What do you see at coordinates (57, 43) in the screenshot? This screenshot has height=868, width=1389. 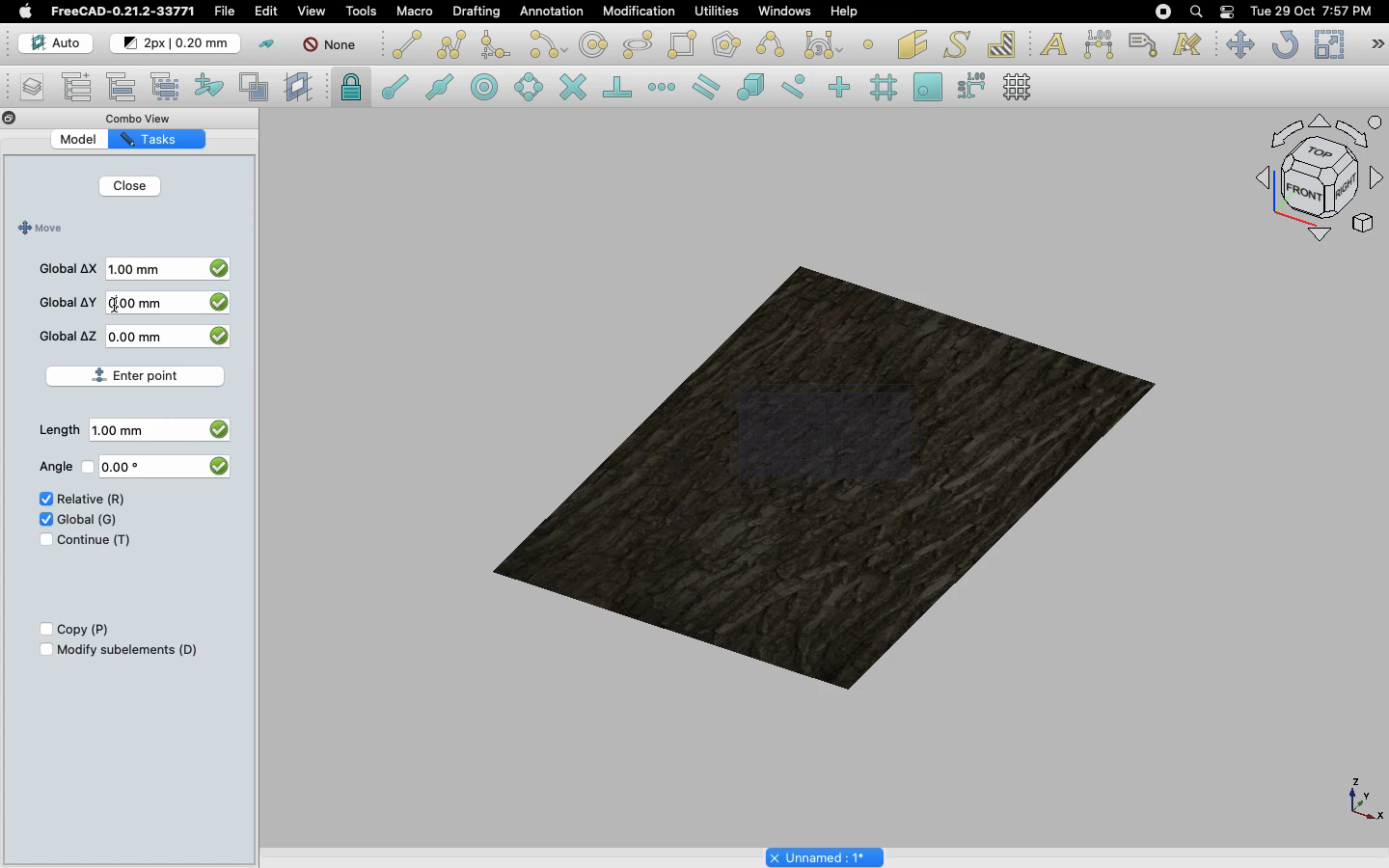 I see `Auto` at bounding box center [57, 43].